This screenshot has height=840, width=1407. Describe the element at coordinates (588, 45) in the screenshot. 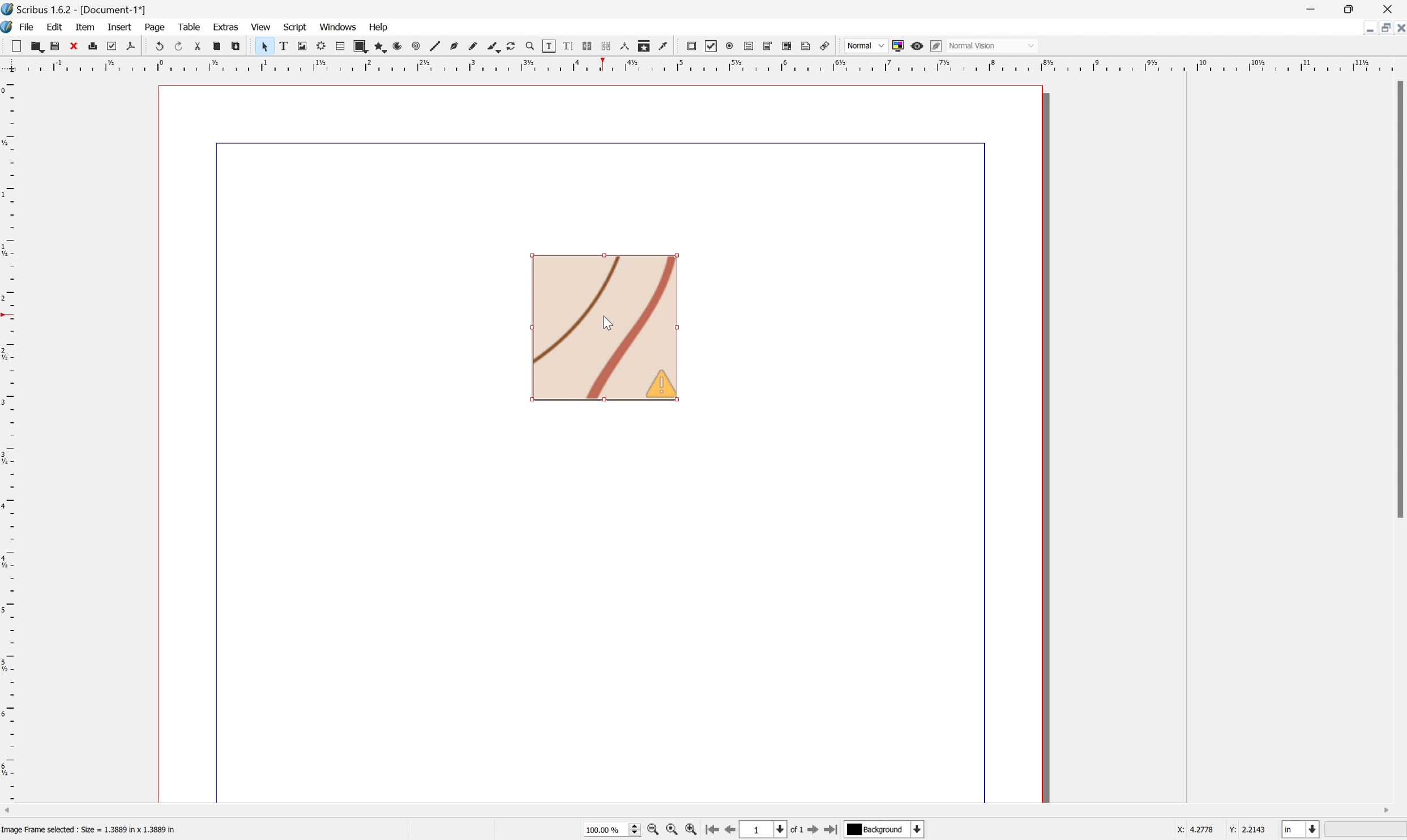

I see `Line text frames` at that location.